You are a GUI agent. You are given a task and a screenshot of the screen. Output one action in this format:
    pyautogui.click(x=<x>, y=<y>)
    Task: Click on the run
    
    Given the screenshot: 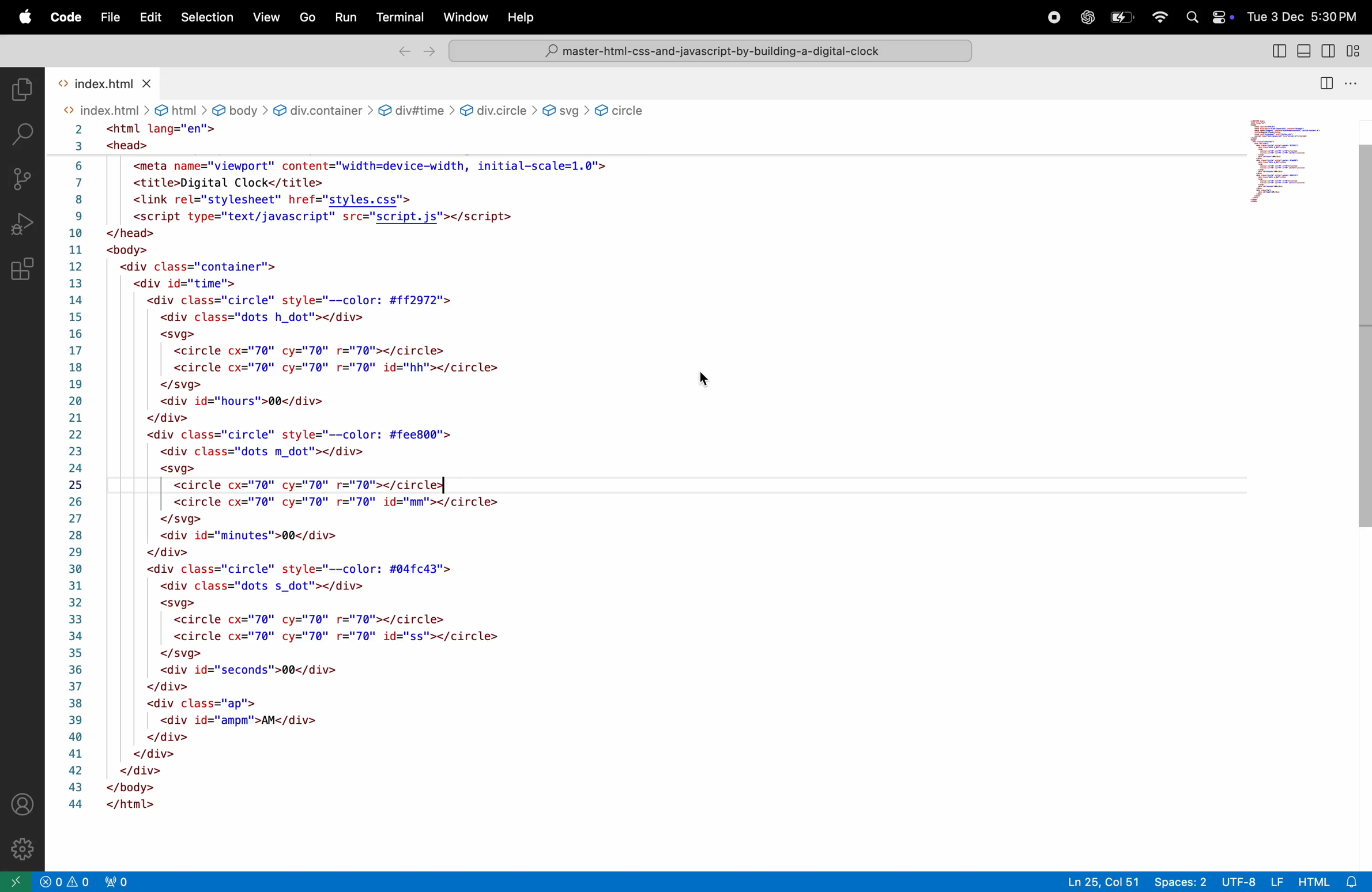 What is the action you would take?
    pyautogui.click(x=348, y=17)
    